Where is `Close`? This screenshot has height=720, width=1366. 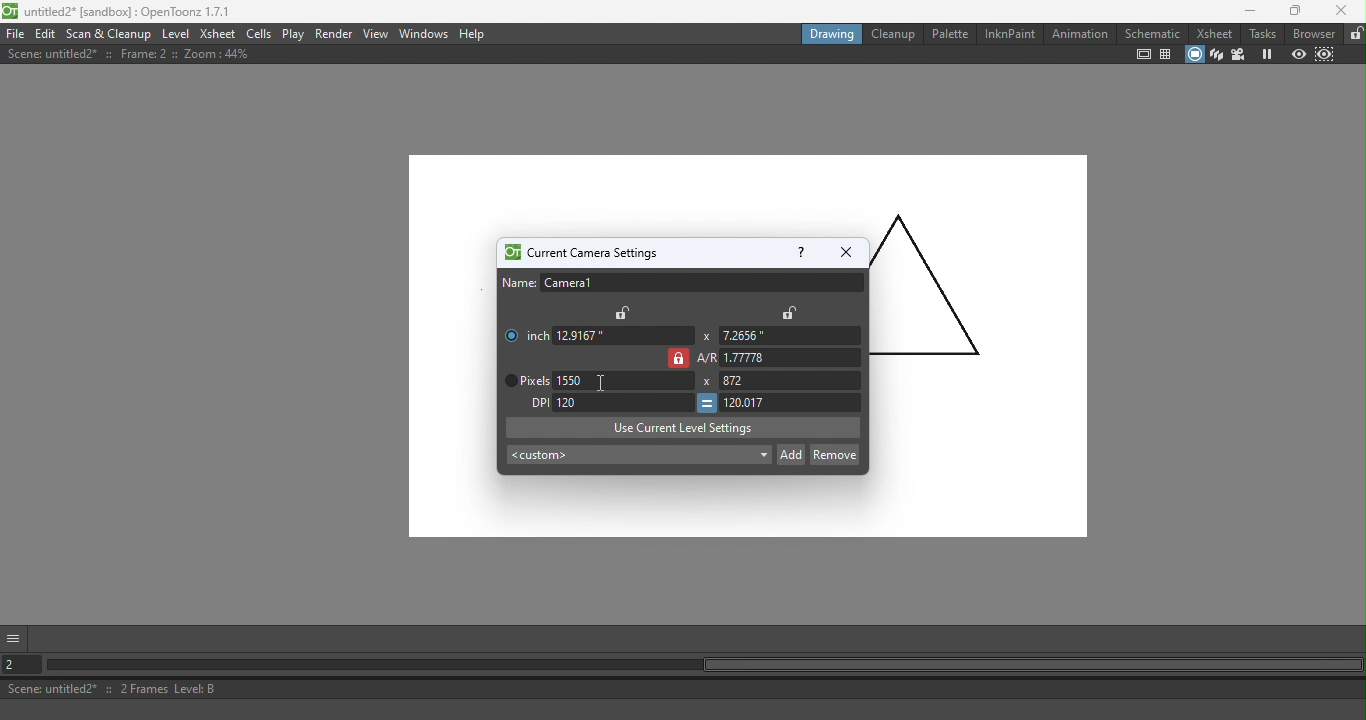 Close is located at coordinates (845, 252).